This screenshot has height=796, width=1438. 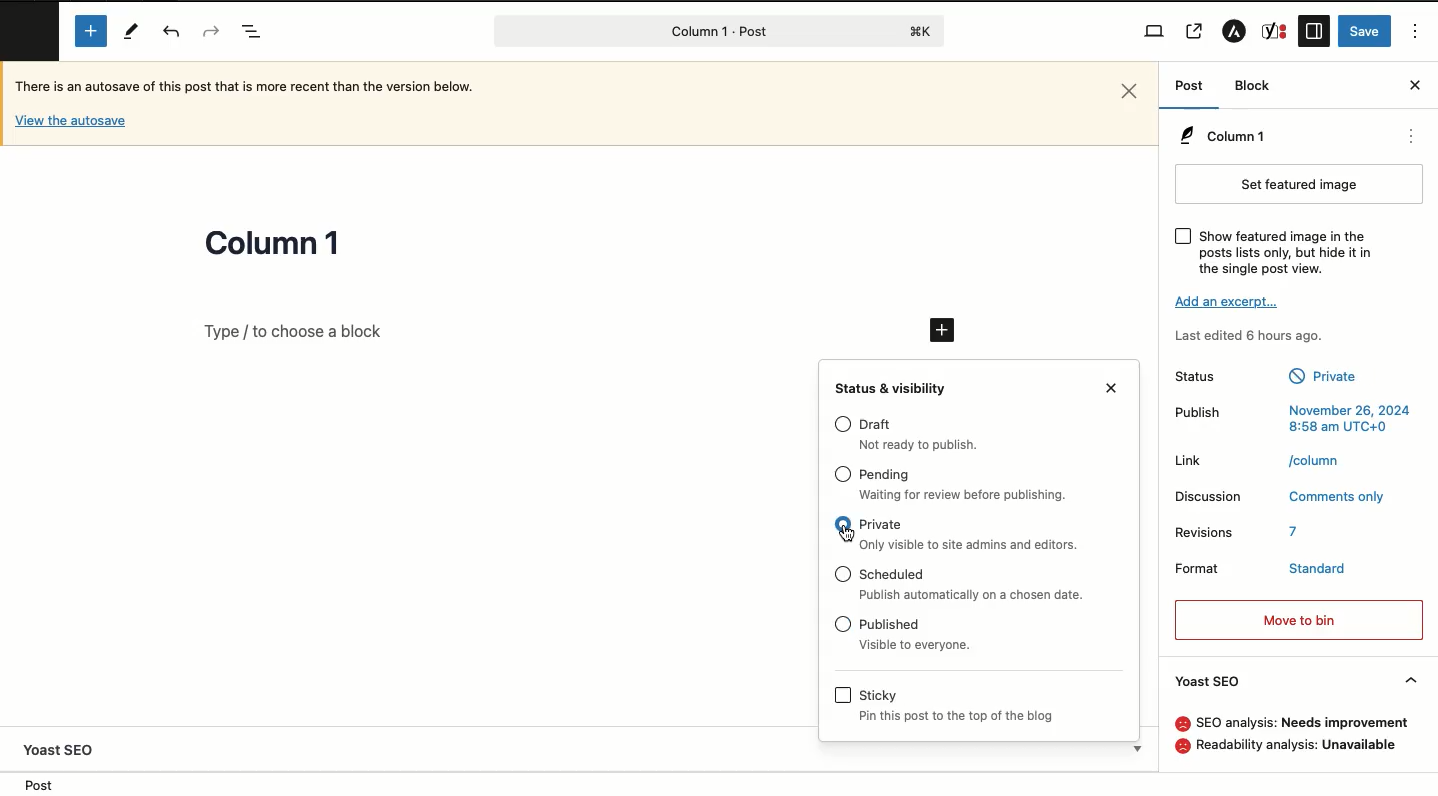 I want to click on Pending, so click(x=965, y=495).